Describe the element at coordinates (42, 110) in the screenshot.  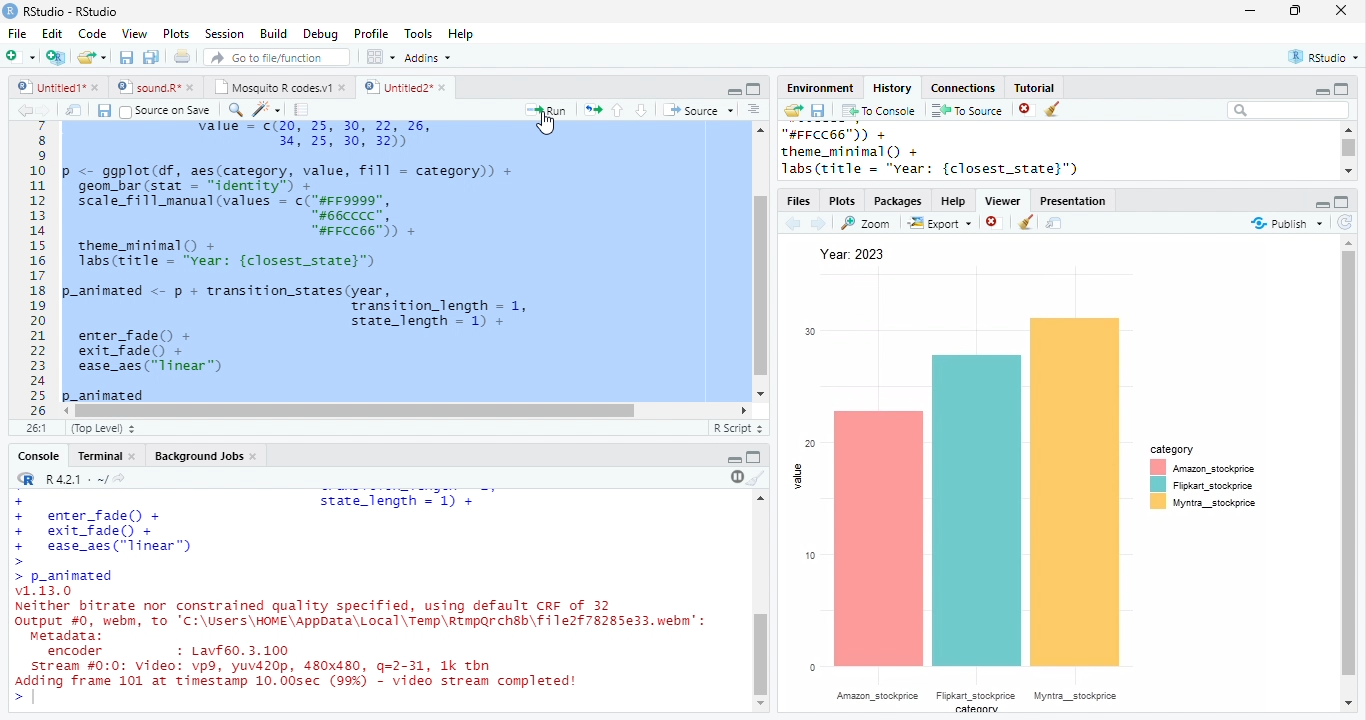
I see `forward` at that location.